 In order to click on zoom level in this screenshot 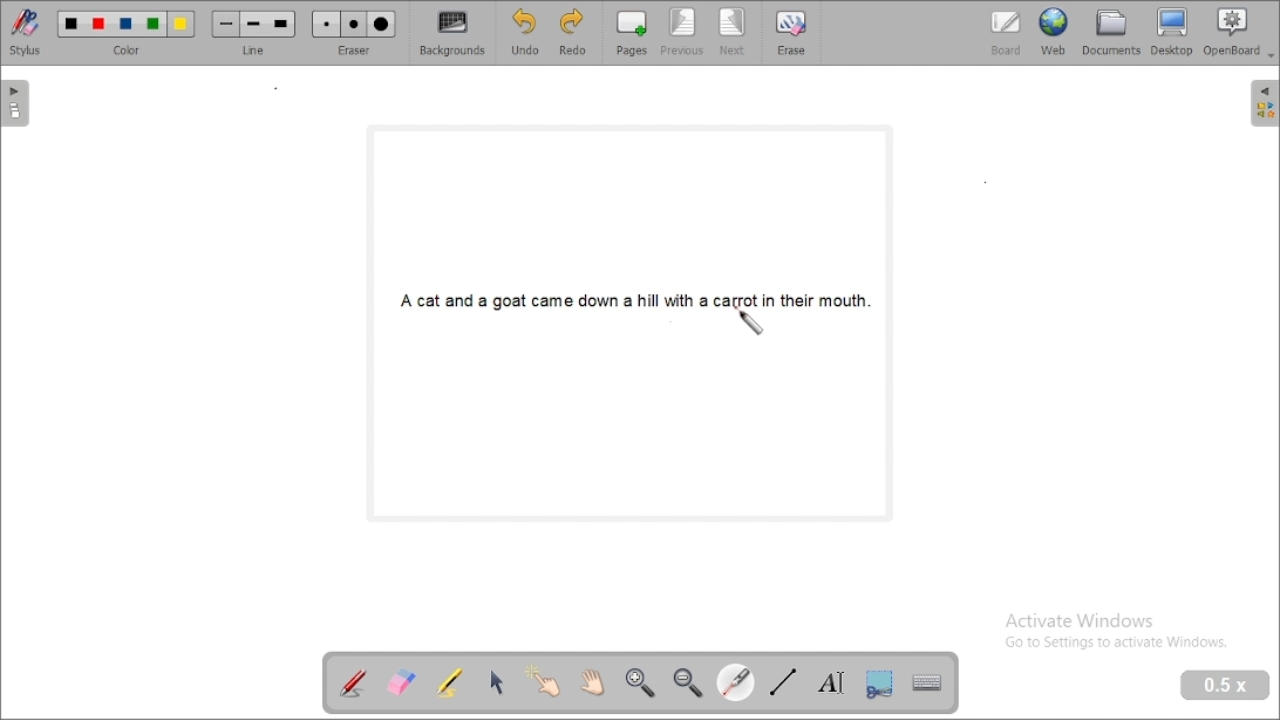, I will do `click(1226, 686)`.